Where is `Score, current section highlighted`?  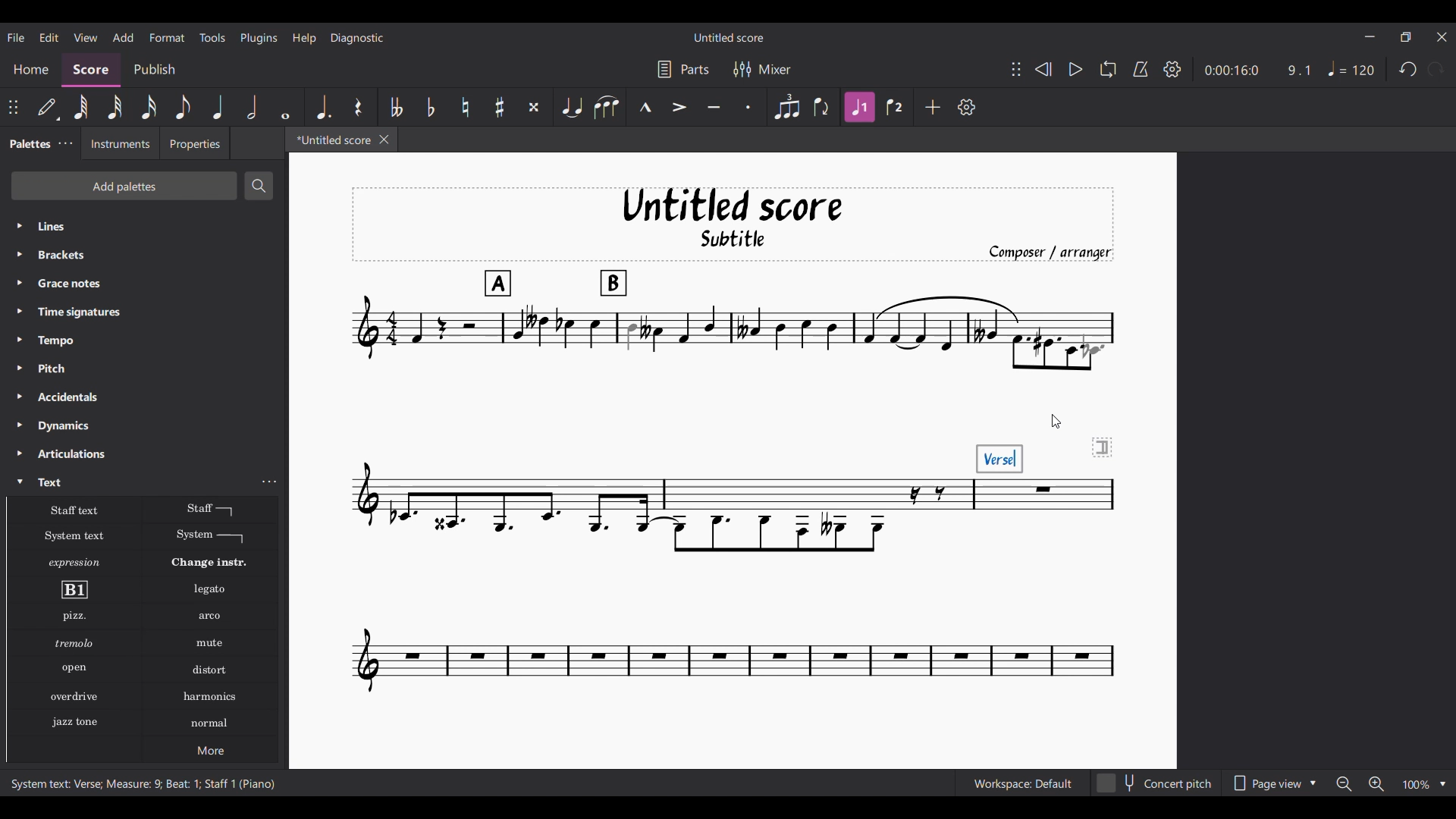
Score, current section highlighted is located at coordinates (91, 70).